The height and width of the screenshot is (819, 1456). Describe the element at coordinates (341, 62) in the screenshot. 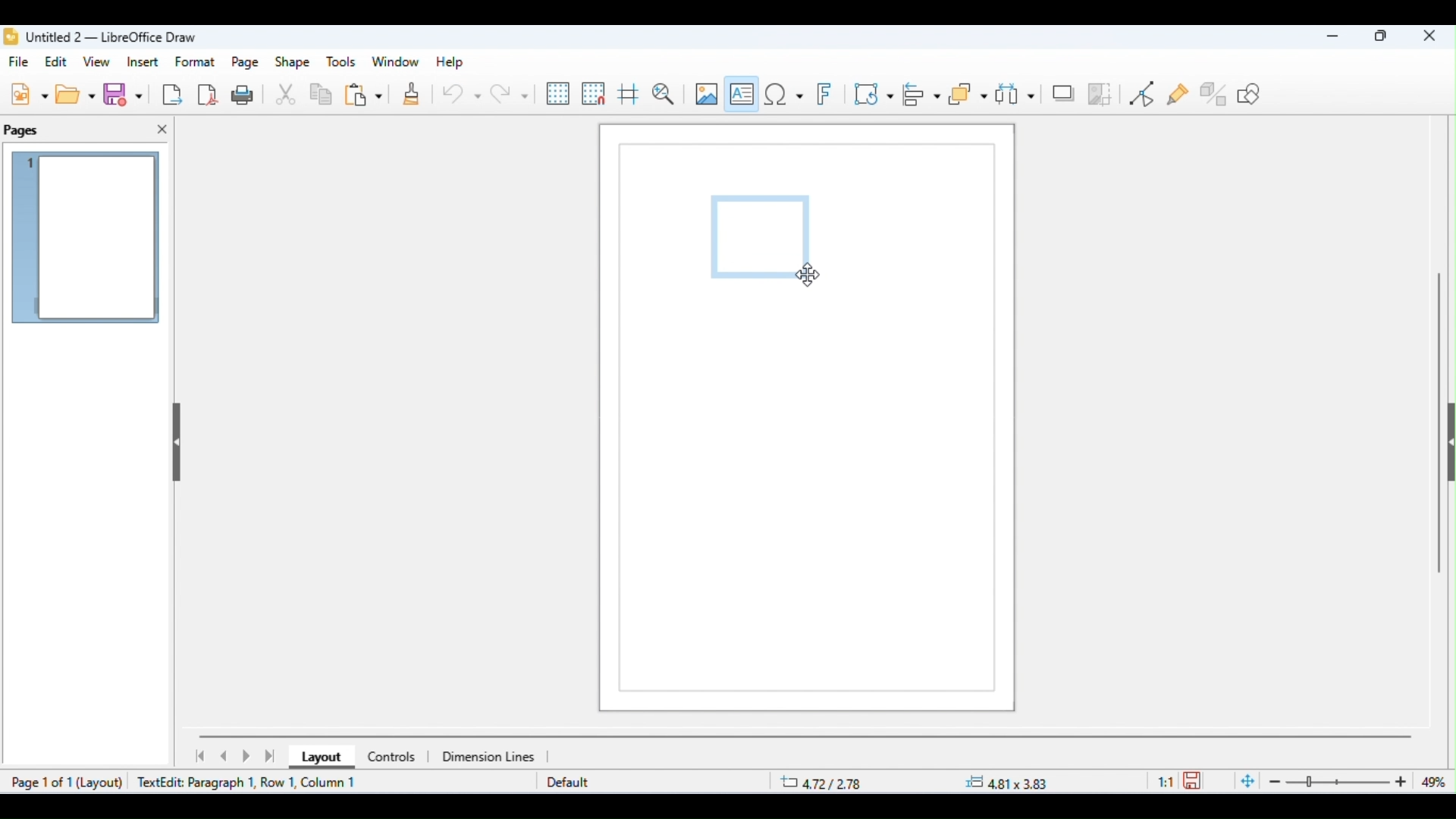

I see `tools` at that location.